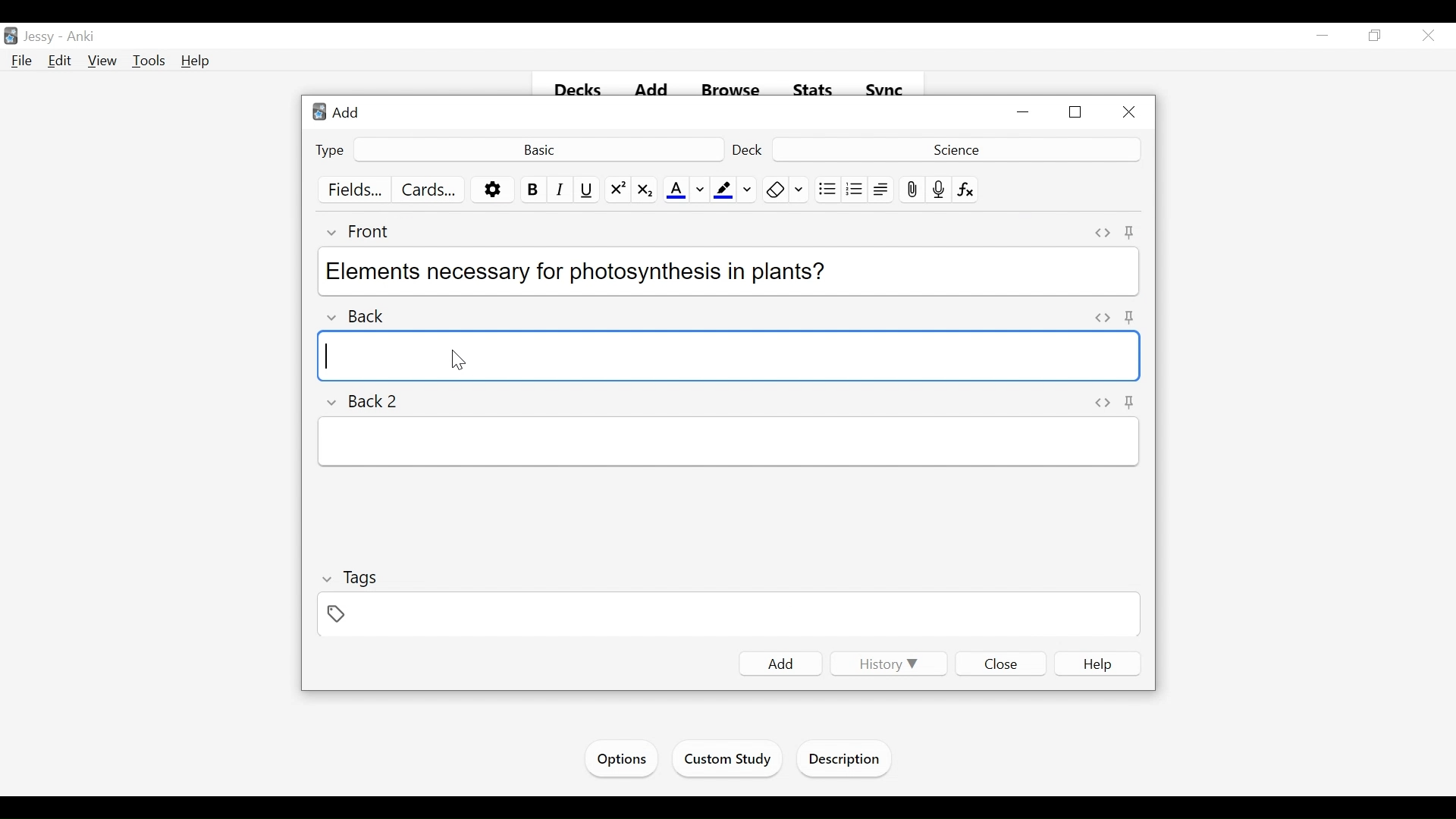  Describe the element at coordinates (588, 190) in the screenshot. I see `Underline` at that location.